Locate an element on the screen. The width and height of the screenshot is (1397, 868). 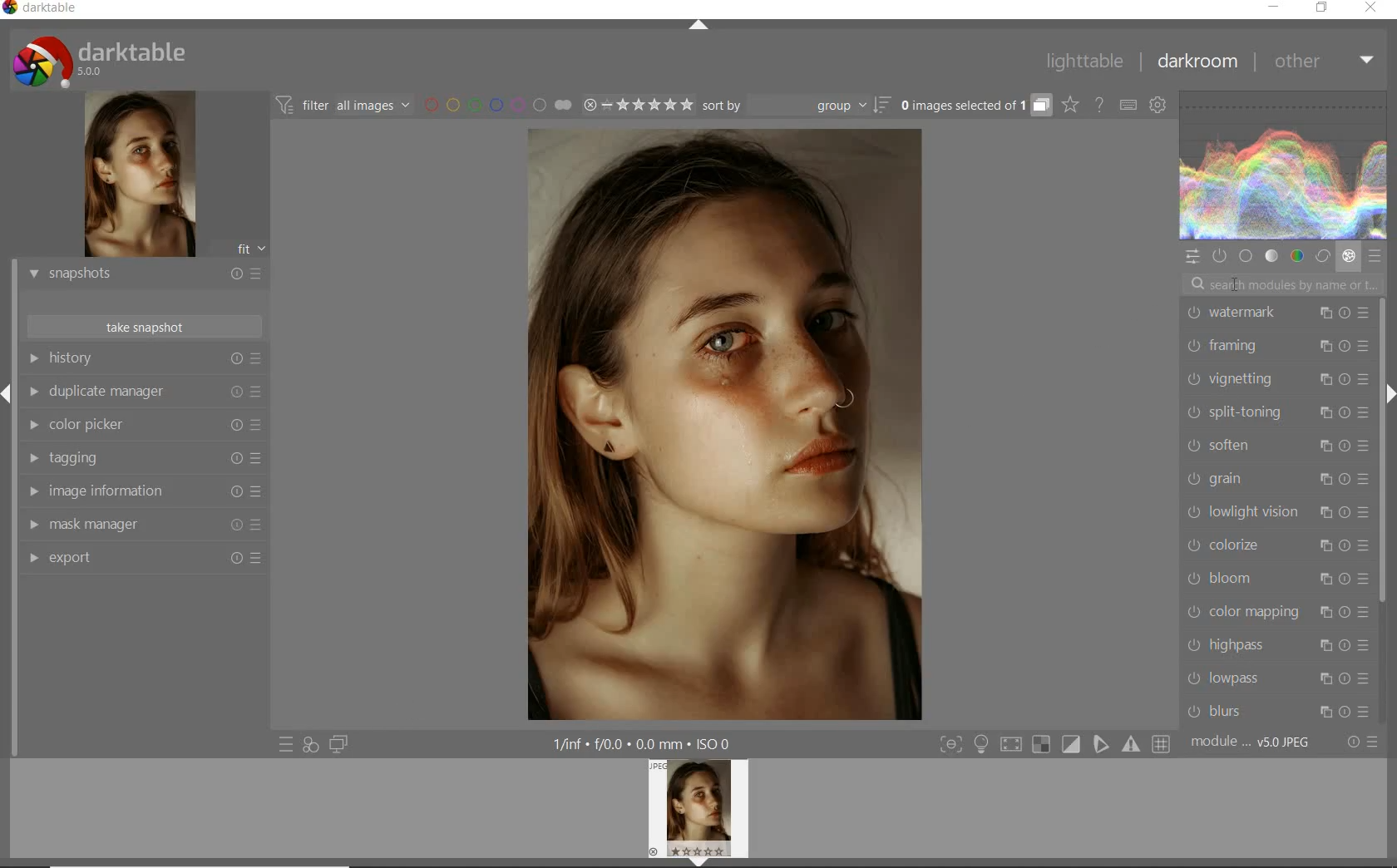
system logo is located at coordinates (101, 61).